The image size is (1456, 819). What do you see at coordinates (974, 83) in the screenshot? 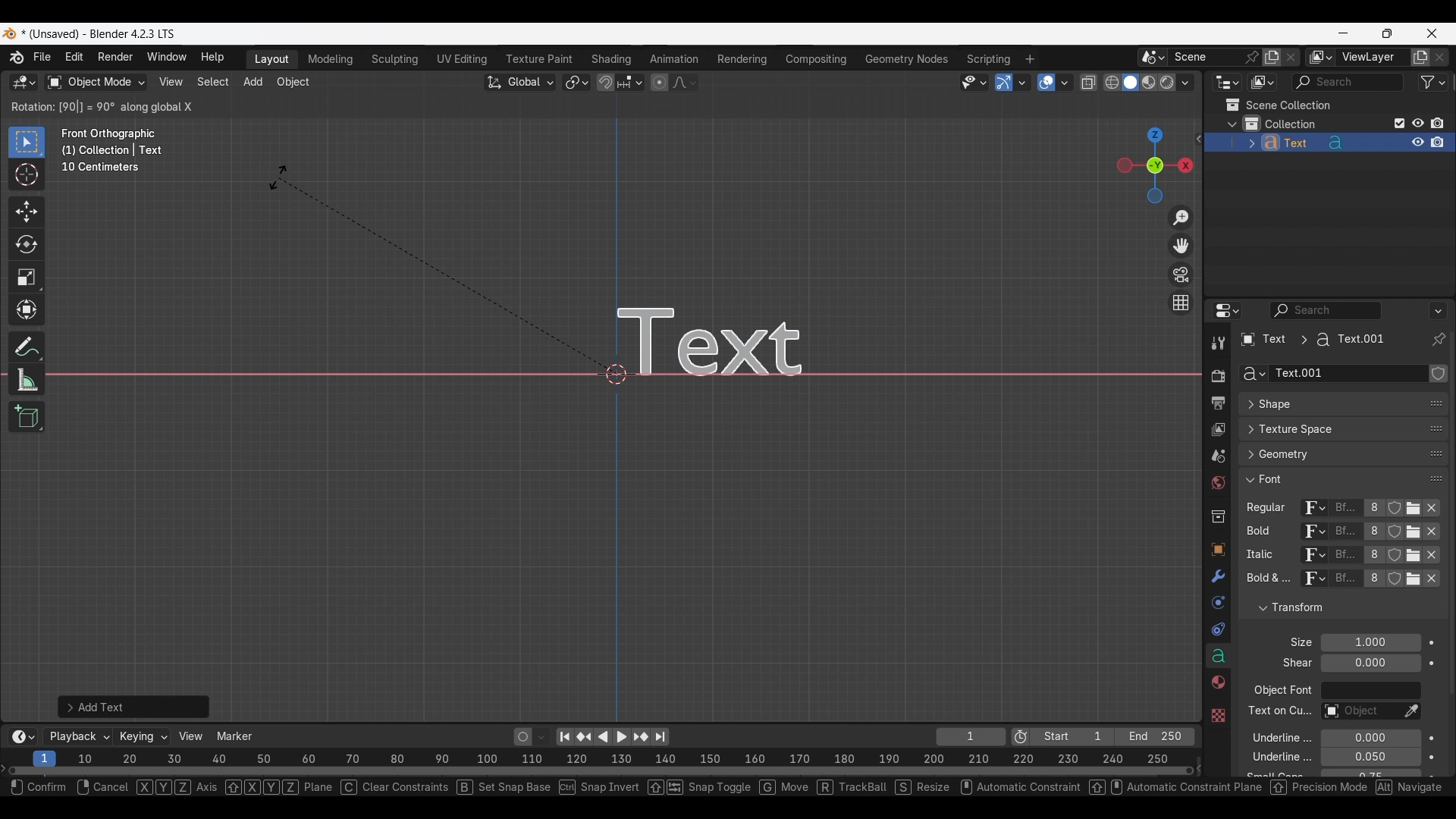
I see `Selectability and visibility` at bounding box center [974, 83].